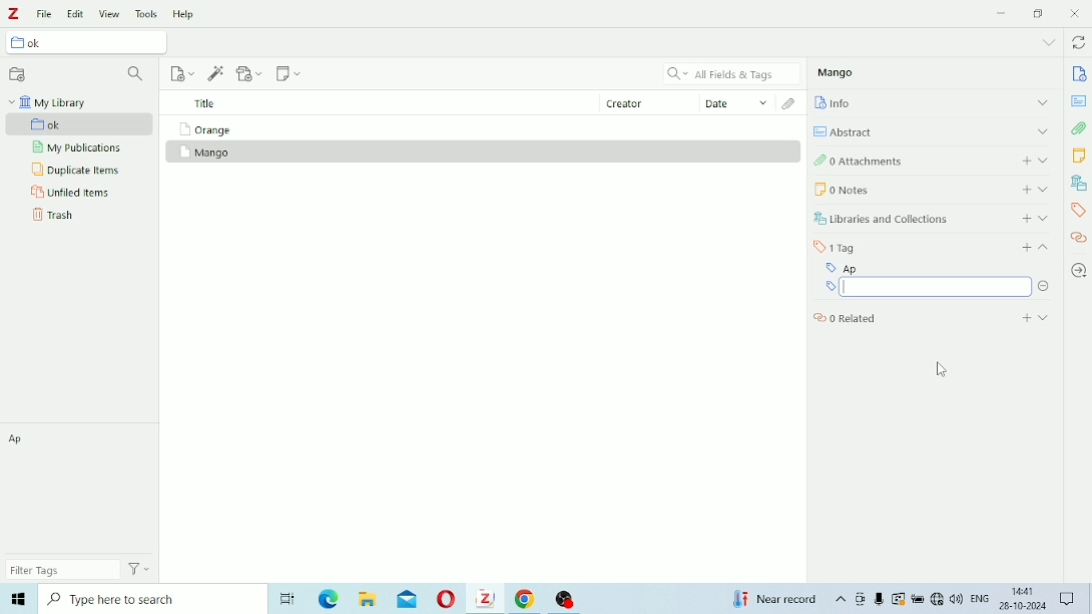  What do you see at coordinates (147, 15) in the screenshot?
I see `Tools` at bounding box center [147, 15].